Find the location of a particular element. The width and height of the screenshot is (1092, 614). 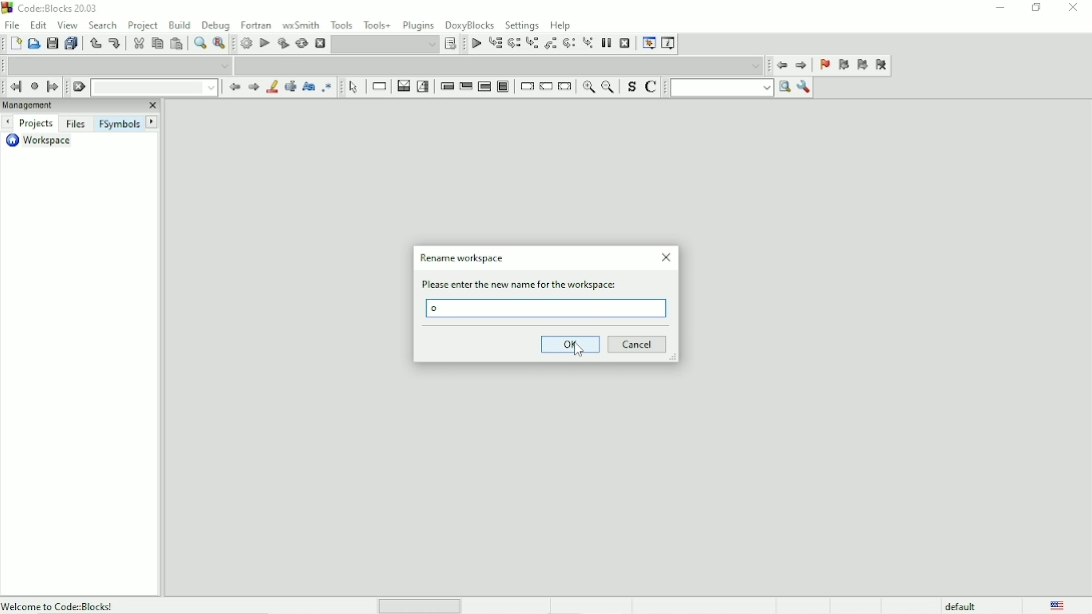

wxSmith is located at coordinates (302, 25).